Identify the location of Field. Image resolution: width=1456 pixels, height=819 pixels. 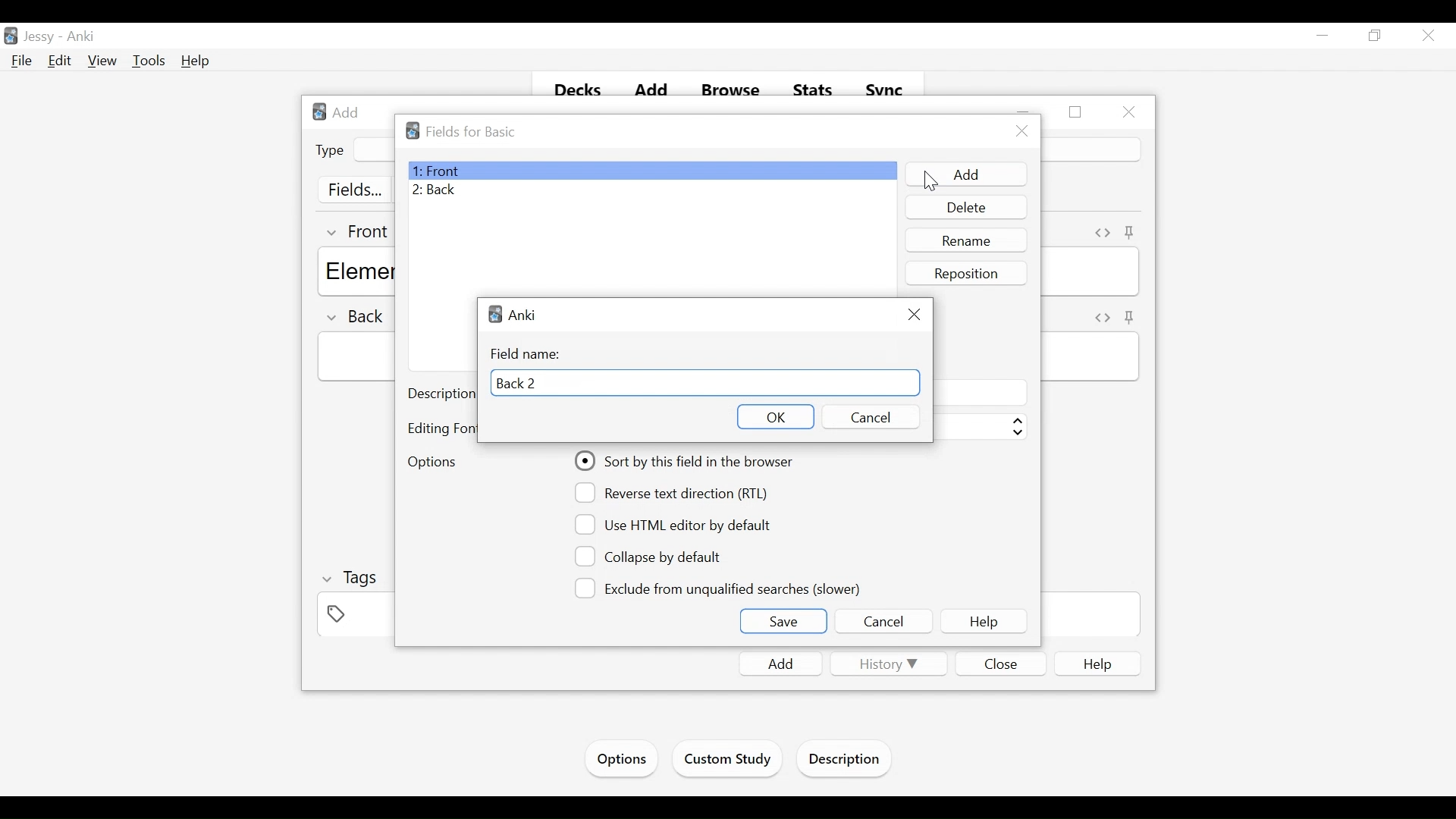
(704, 383).